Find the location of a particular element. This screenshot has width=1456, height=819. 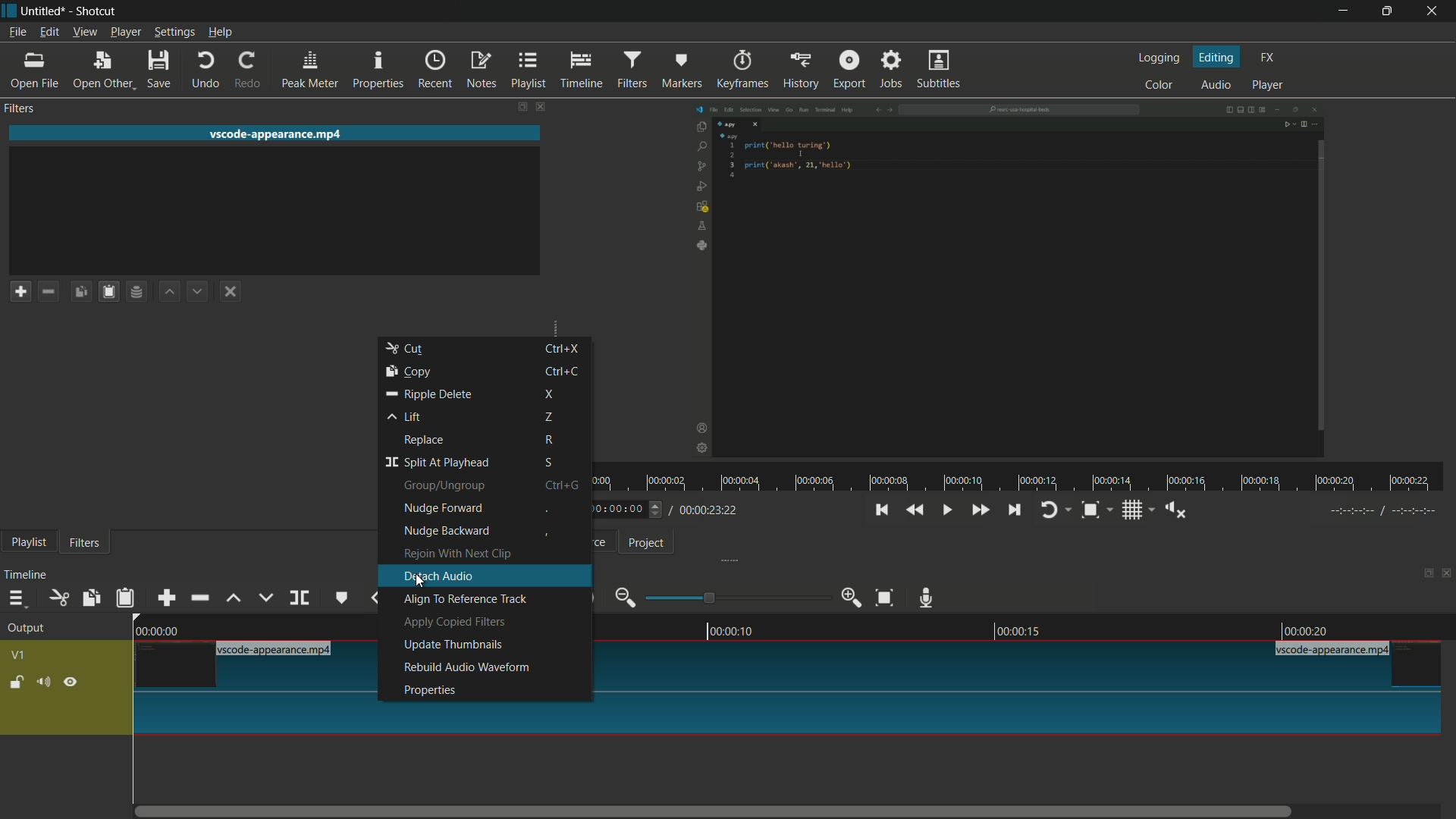

toggle grid is located at coordinates (1131, 510).